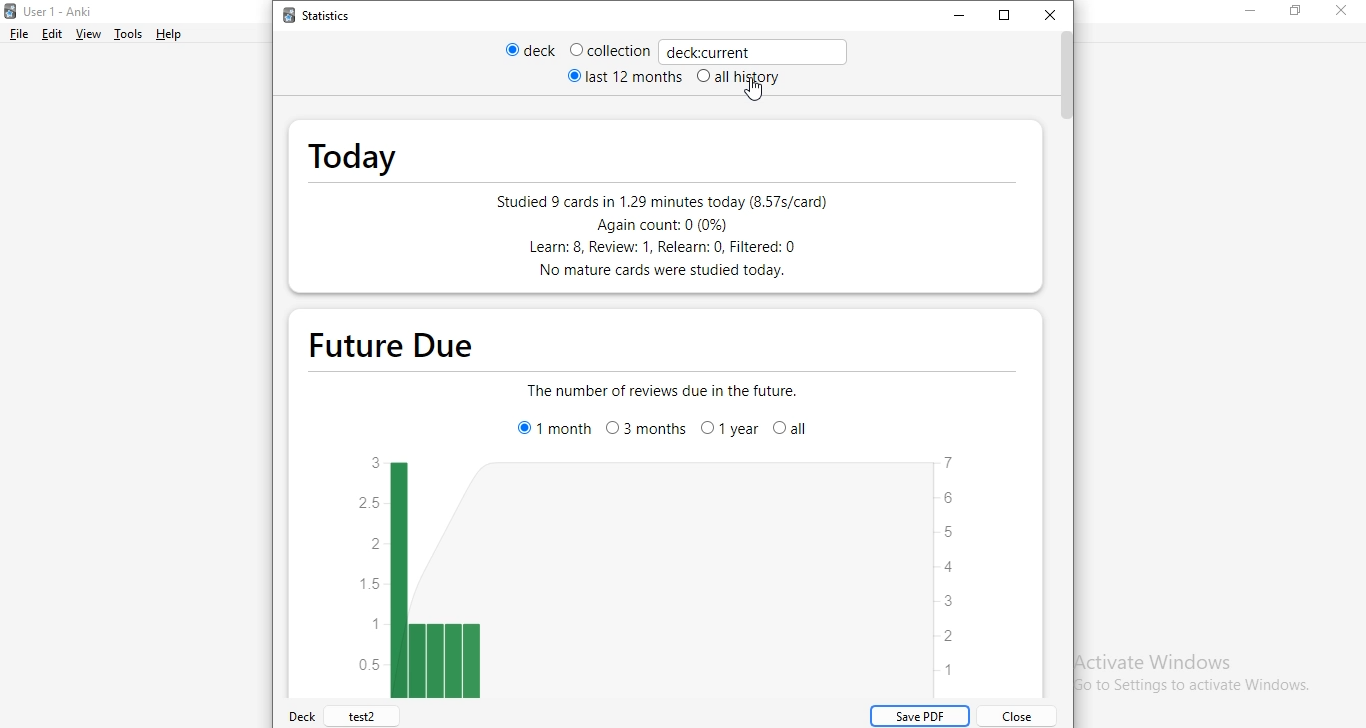  I want to click on tools, so click(127, 34).